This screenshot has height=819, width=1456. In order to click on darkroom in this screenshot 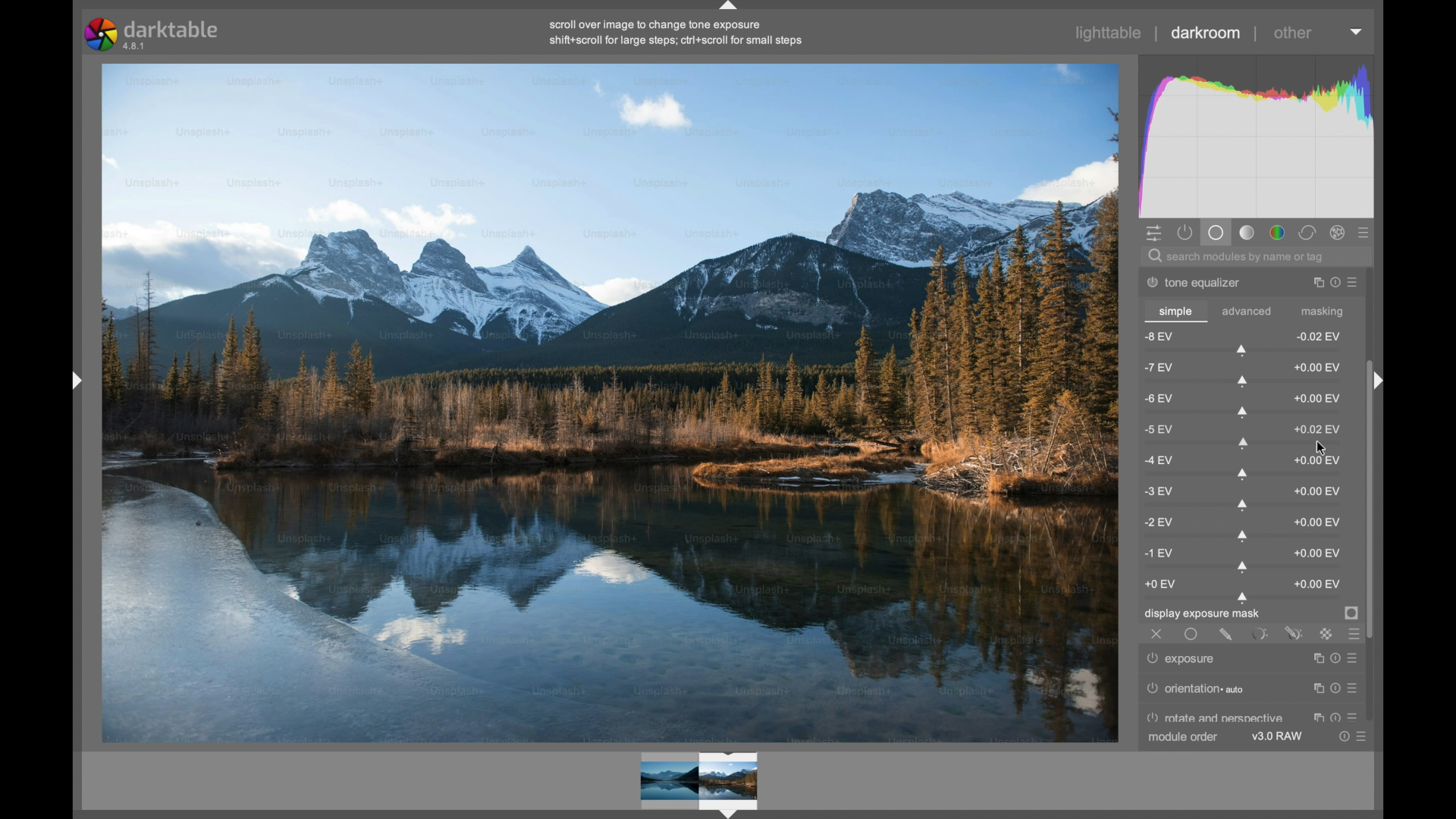, I will do `click(1206, 33)`.